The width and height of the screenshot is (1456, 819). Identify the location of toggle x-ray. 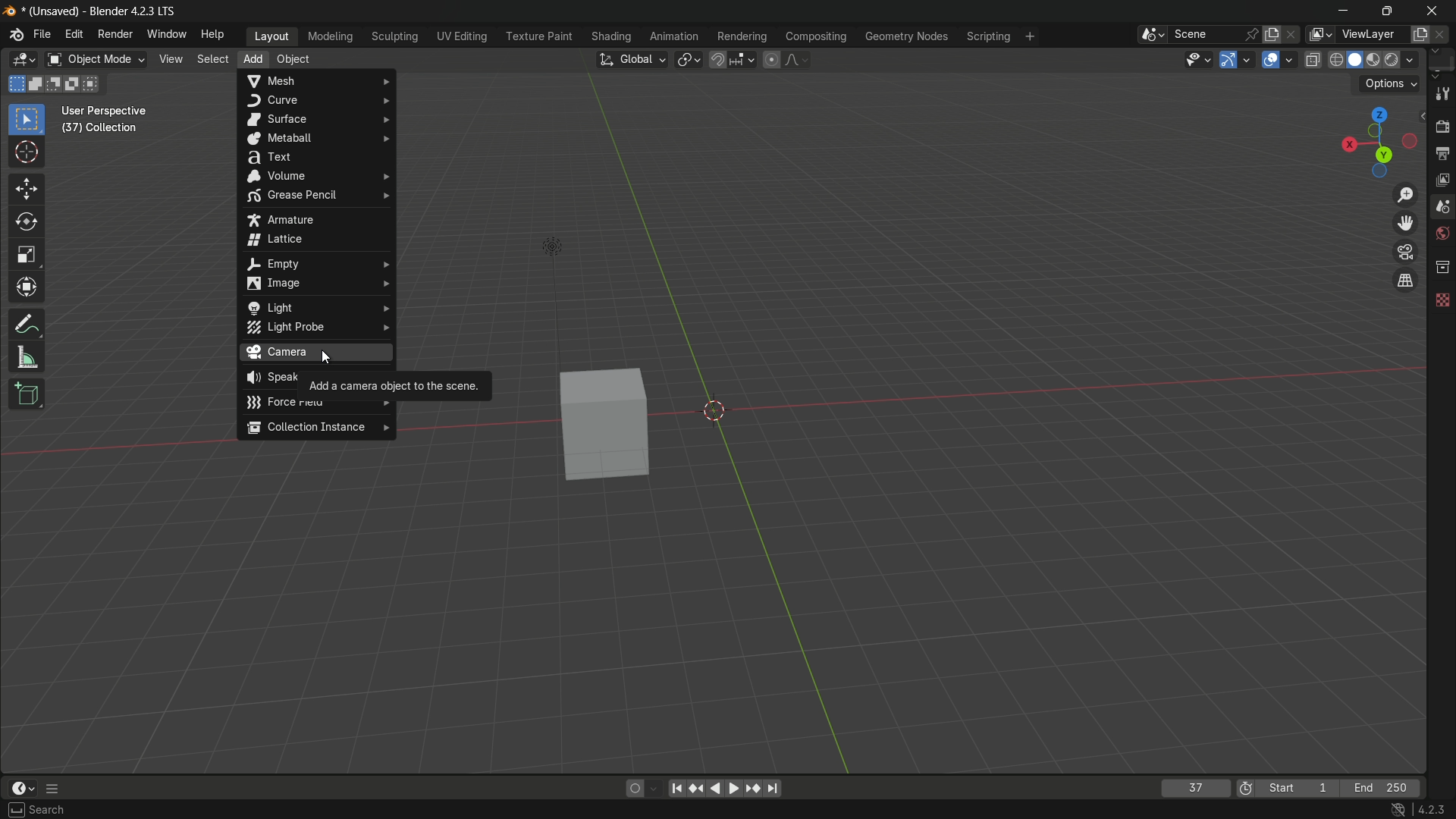
(1314, 60).